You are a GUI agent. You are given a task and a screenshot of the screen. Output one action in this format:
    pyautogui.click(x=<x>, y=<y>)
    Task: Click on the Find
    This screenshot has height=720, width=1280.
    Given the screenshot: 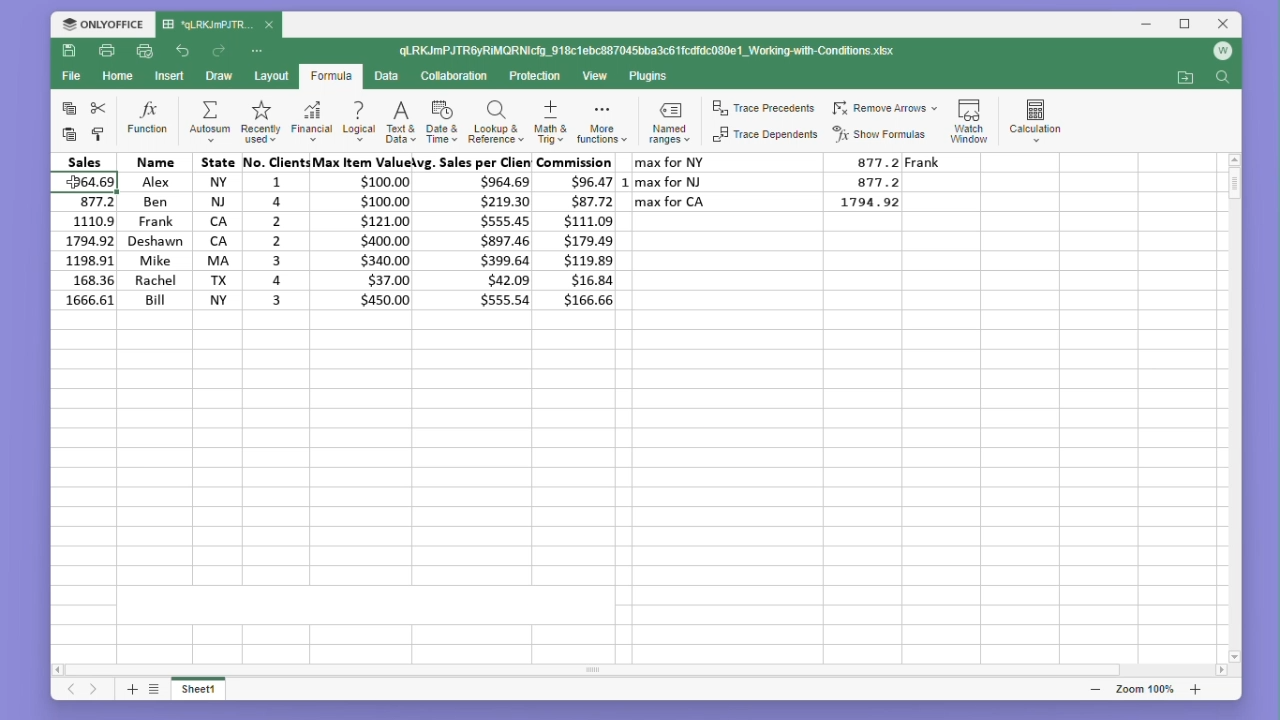 What is the action you would take?
    pyautogui.click(x=1222, y=80)
    